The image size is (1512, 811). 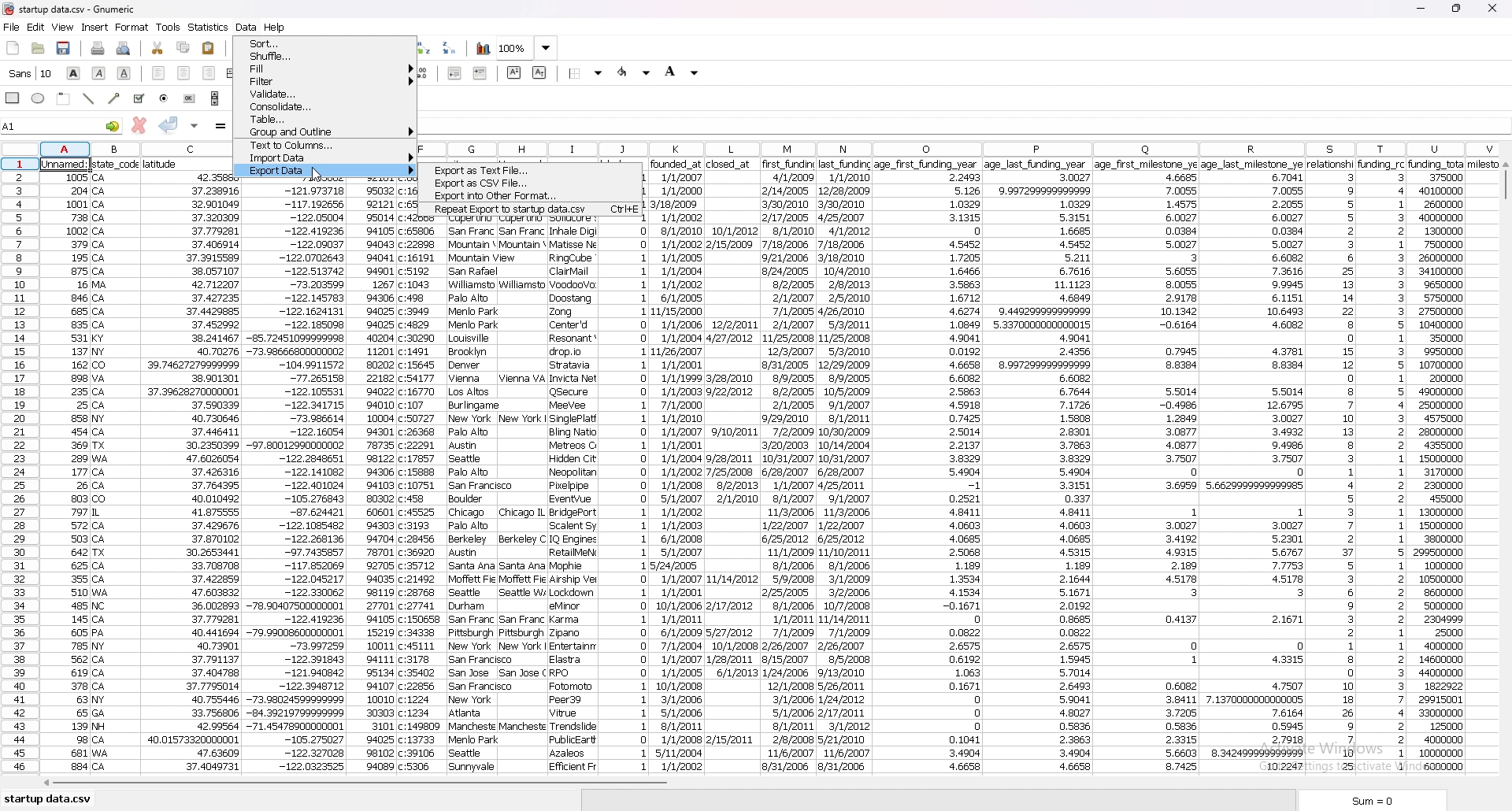 I want to click on sheet, so click(x=48, y=800).